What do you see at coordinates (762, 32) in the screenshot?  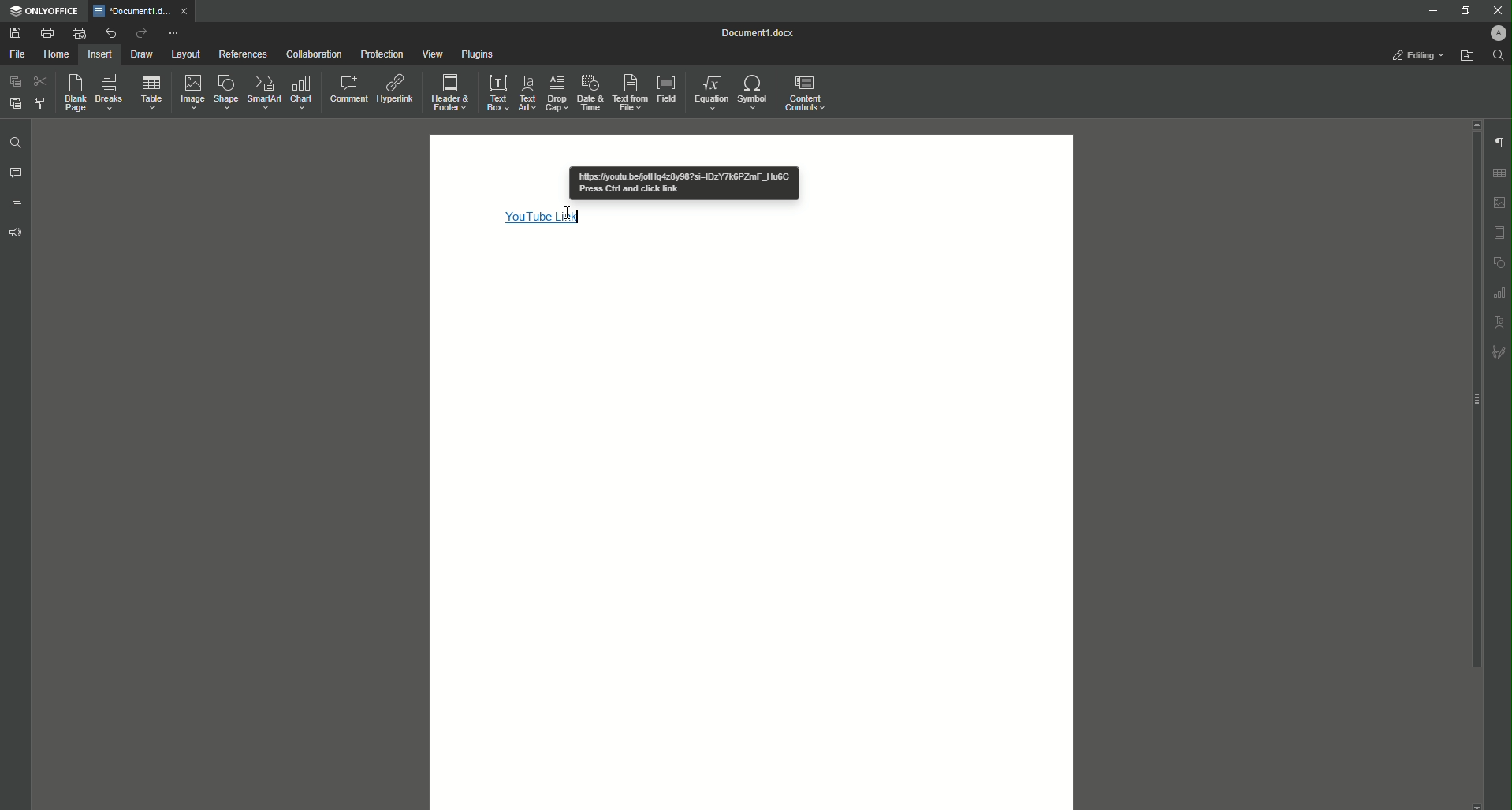 I see `Document1.docx` at bounding box center [762, 32].